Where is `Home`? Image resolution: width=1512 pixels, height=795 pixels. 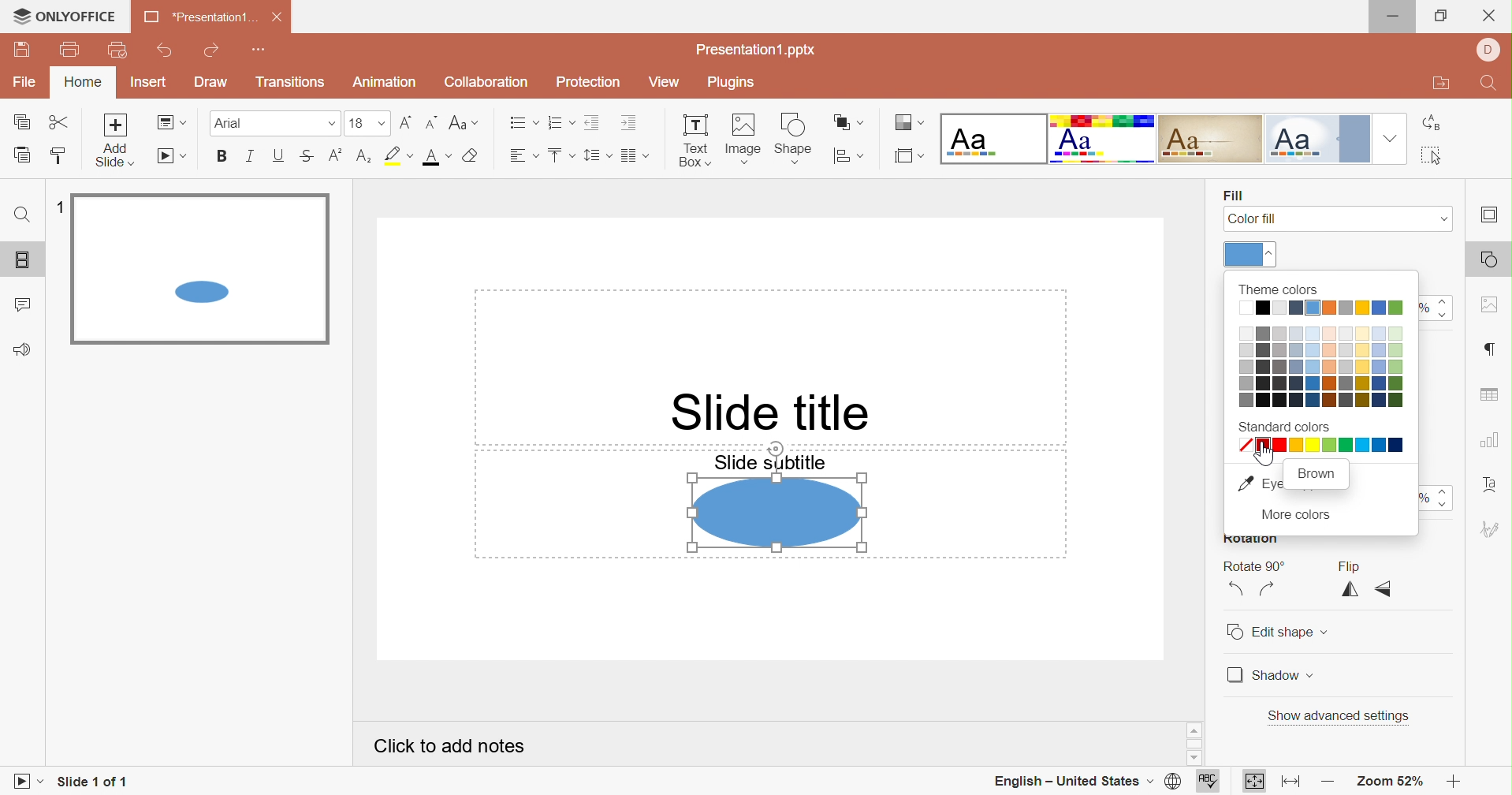
Home is located at coordinates (85, 84).